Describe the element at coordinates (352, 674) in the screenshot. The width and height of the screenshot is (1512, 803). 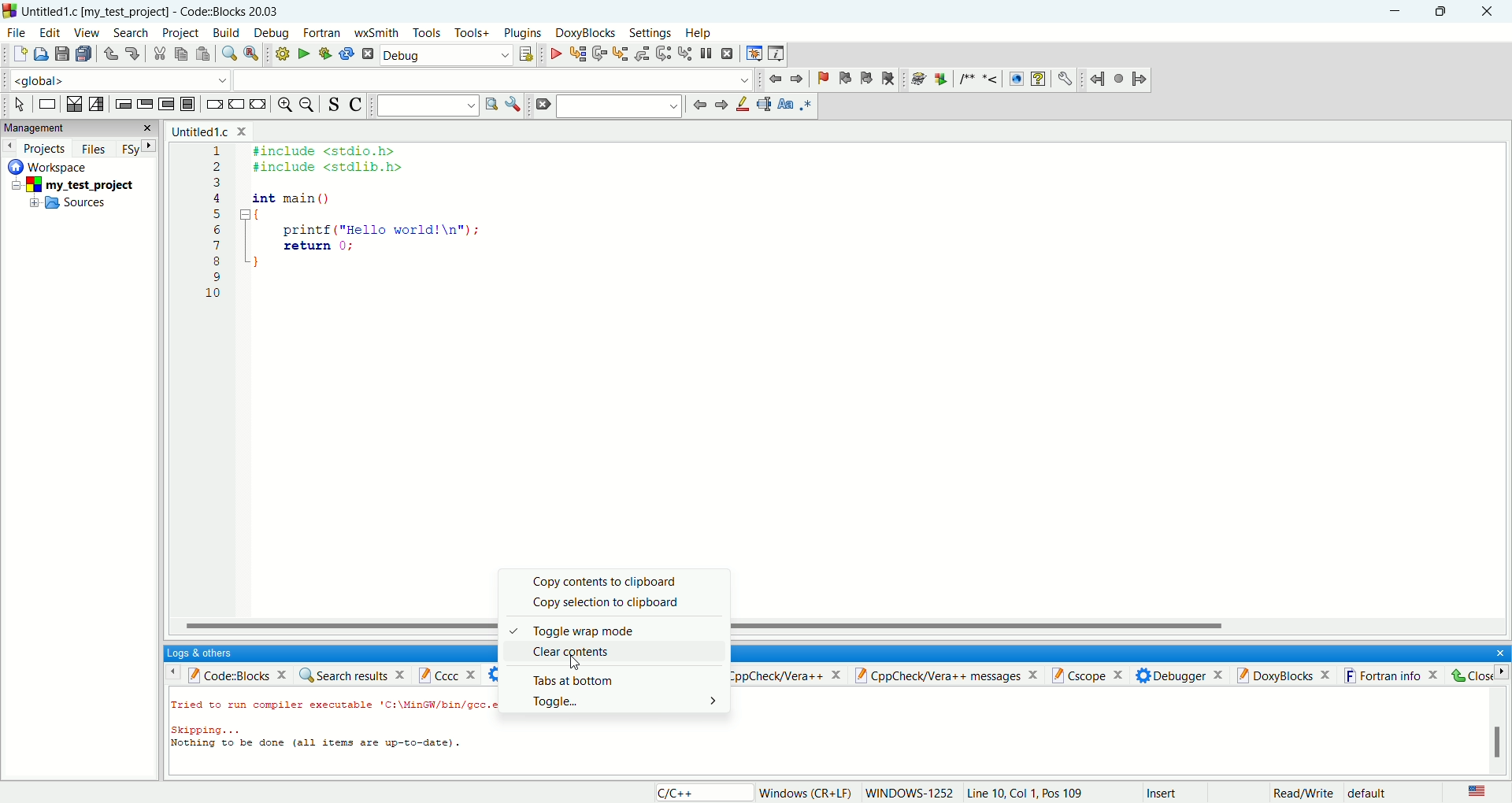
I see `search results` at that location.